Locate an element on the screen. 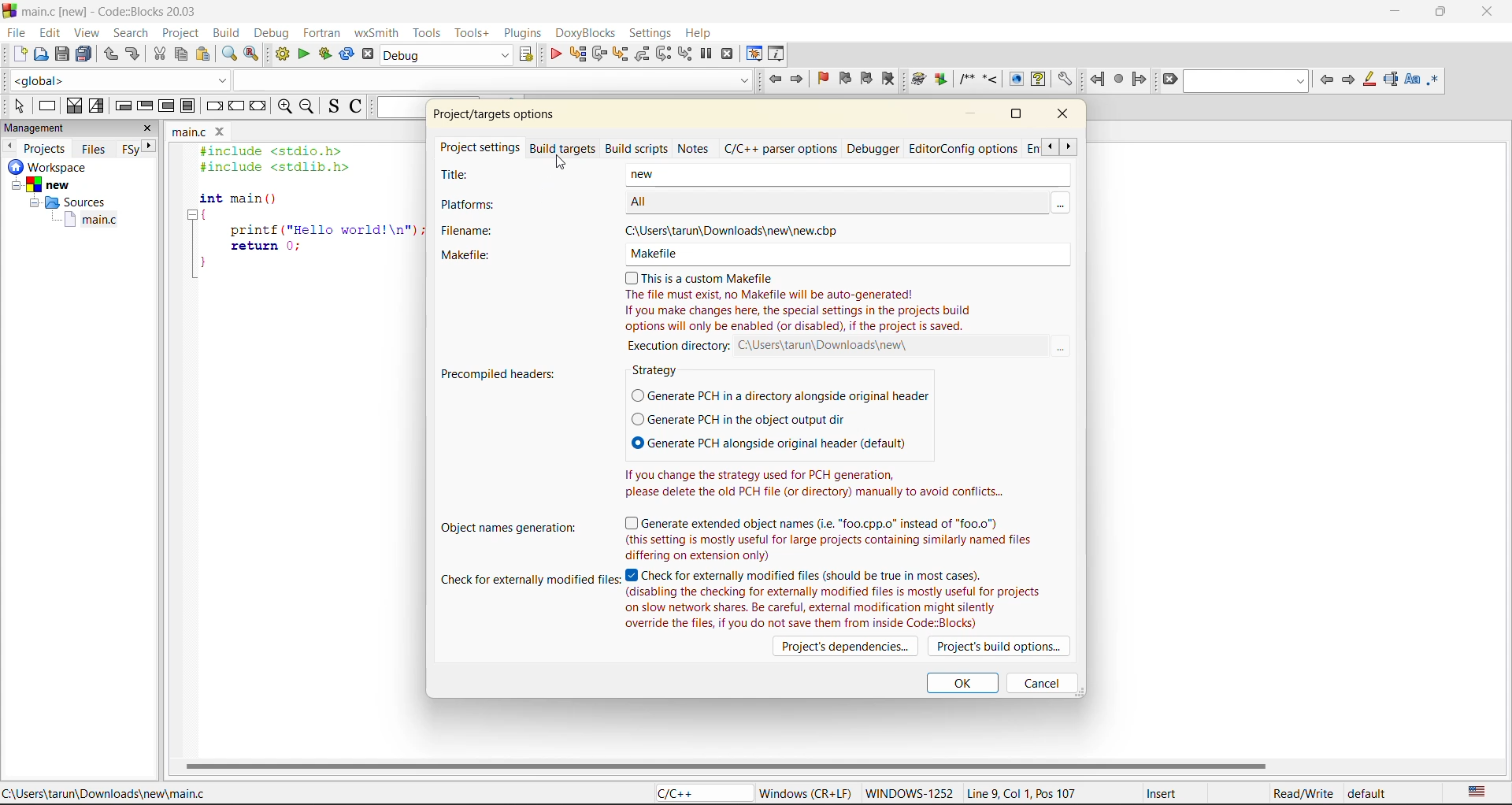  title is located at coordinates (483, 176).